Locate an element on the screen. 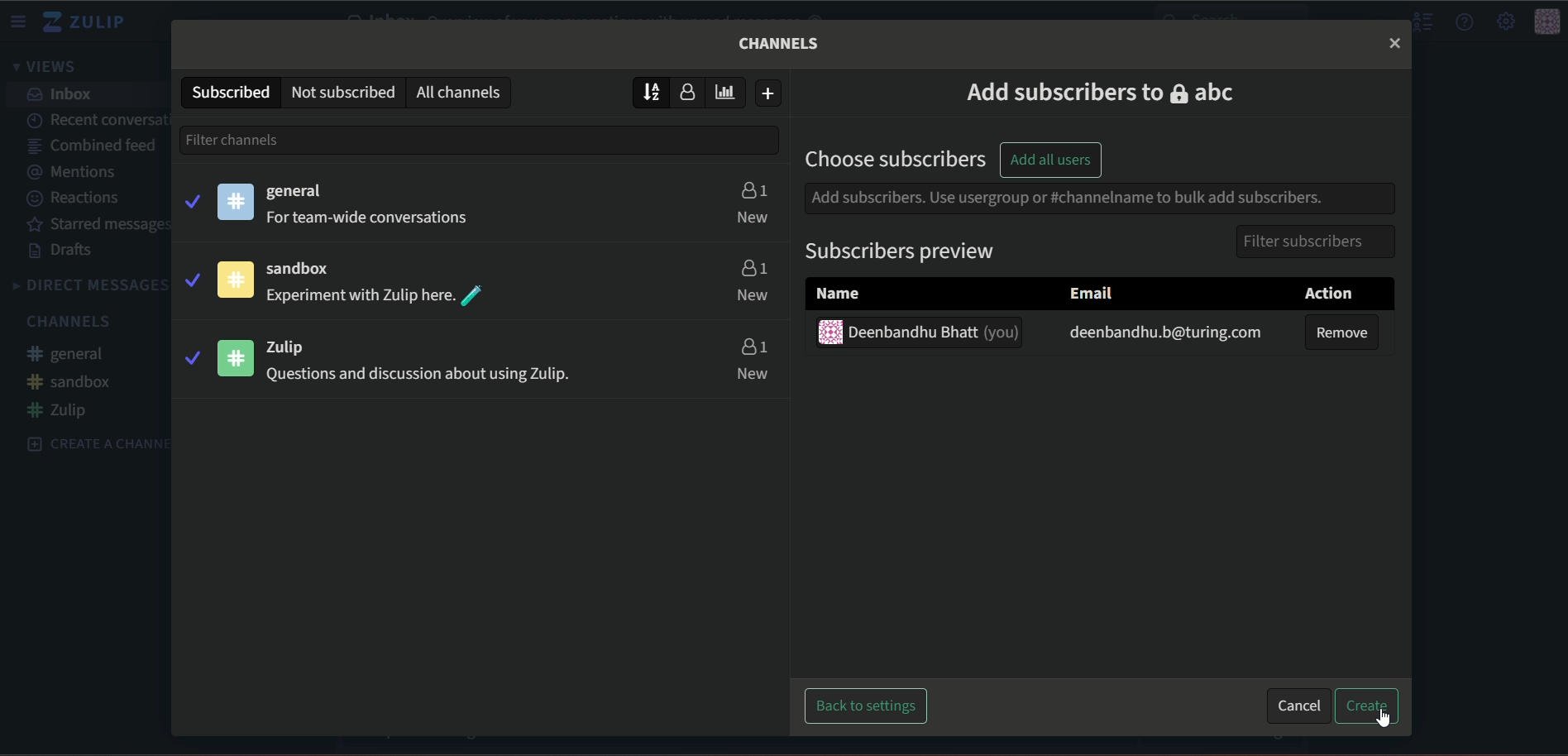 The height and width of the screenshot is (756, 1568). inbox is located at coordinates (62, 94).